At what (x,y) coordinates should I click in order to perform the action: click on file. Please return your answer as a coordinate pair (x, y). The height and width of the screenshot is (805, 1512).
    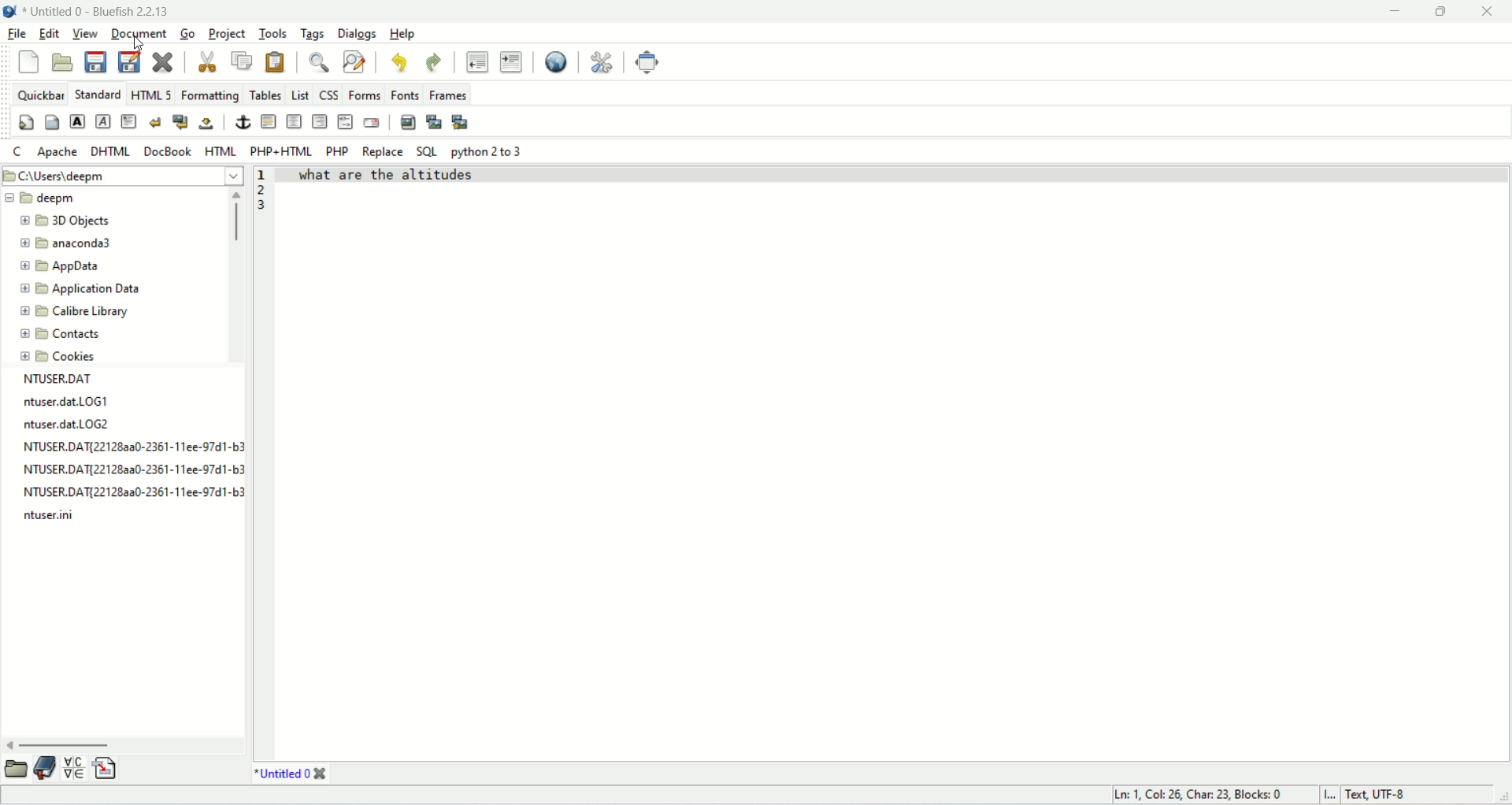
    Looking at the image, I should click on (16, 35).